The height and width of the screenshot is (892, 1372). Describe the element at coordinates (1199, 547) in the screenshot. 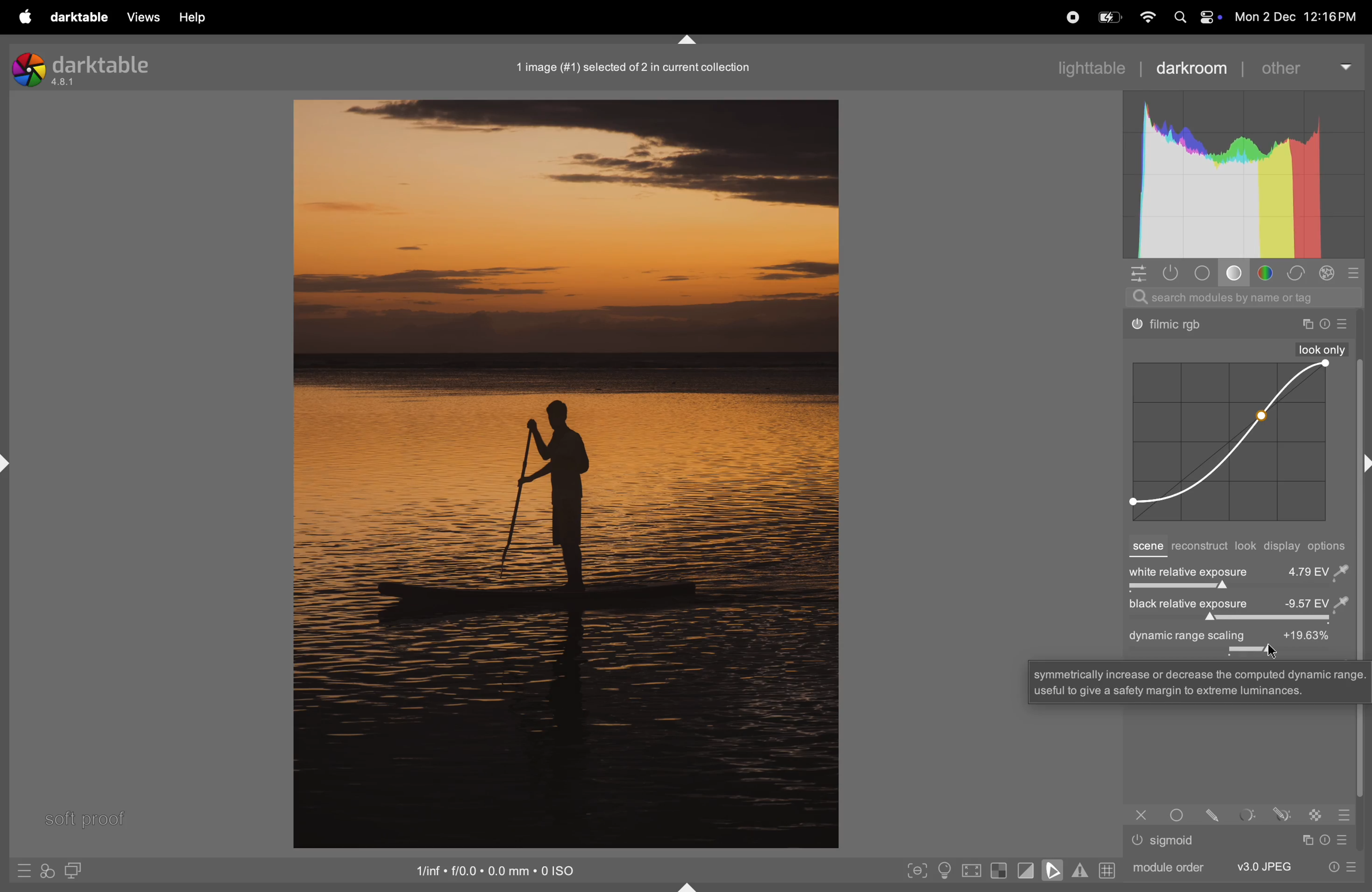

I see `reconstruct` at that location.